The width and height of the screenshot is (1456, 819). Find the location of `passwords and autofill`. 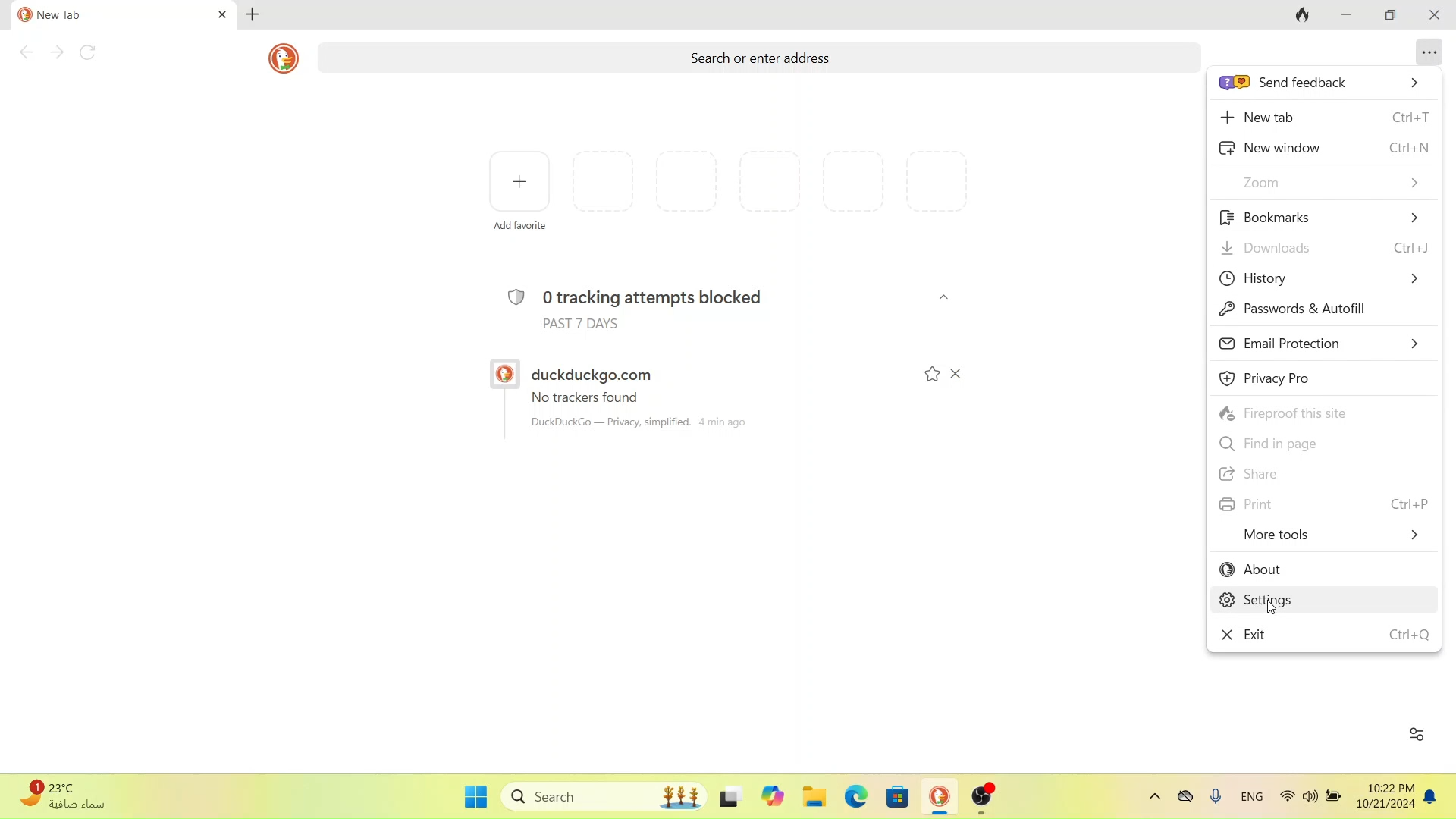

passwords and autofill is located at coordinates (1323, 311).